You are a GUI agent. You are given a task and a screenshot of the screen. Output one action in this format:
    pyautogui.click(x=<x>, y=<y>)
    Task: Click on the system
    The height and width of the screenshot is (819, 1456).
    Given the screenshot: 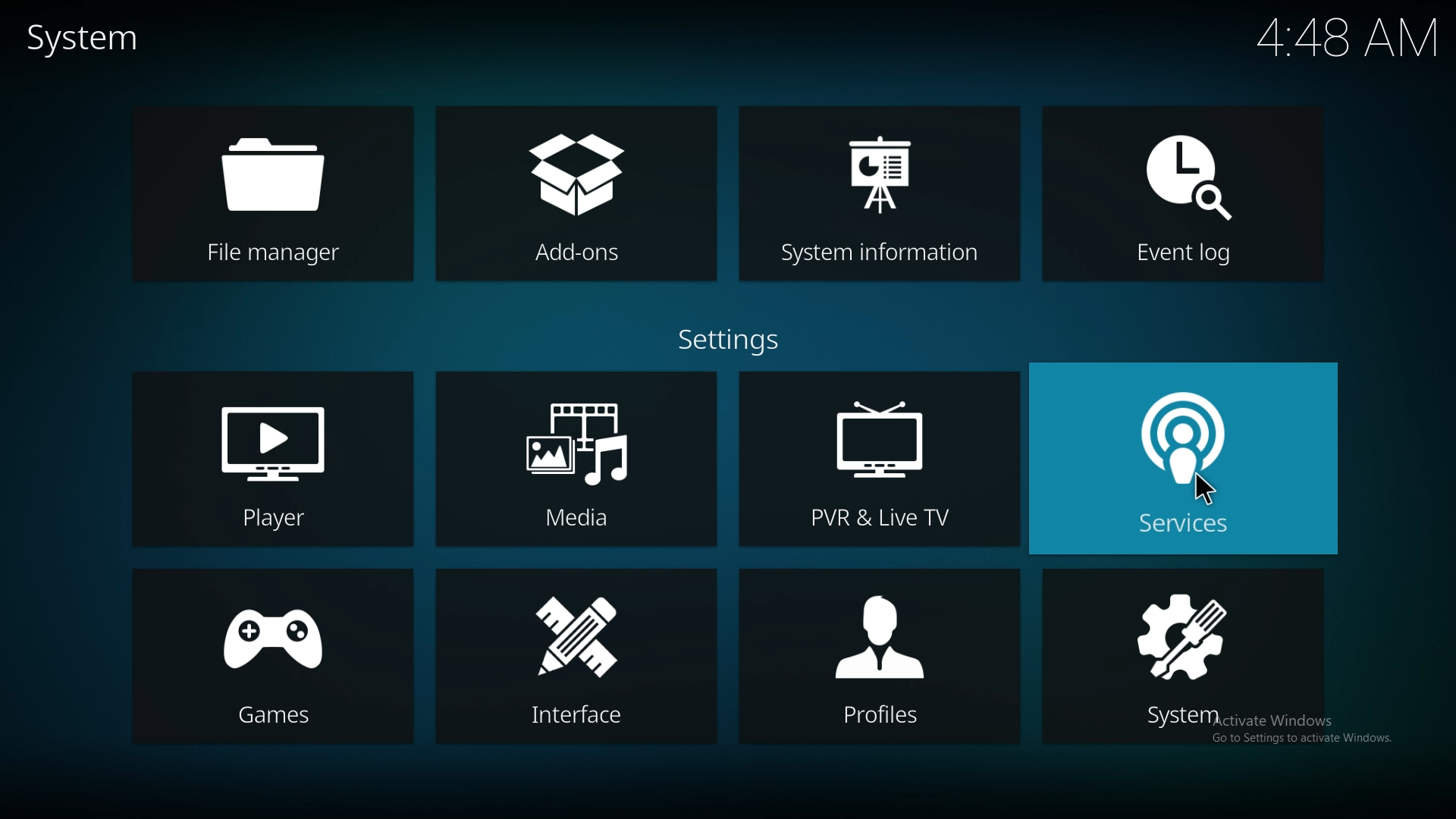 What is the action you would take?
    pyautogui.click(x=85, y=42)
    